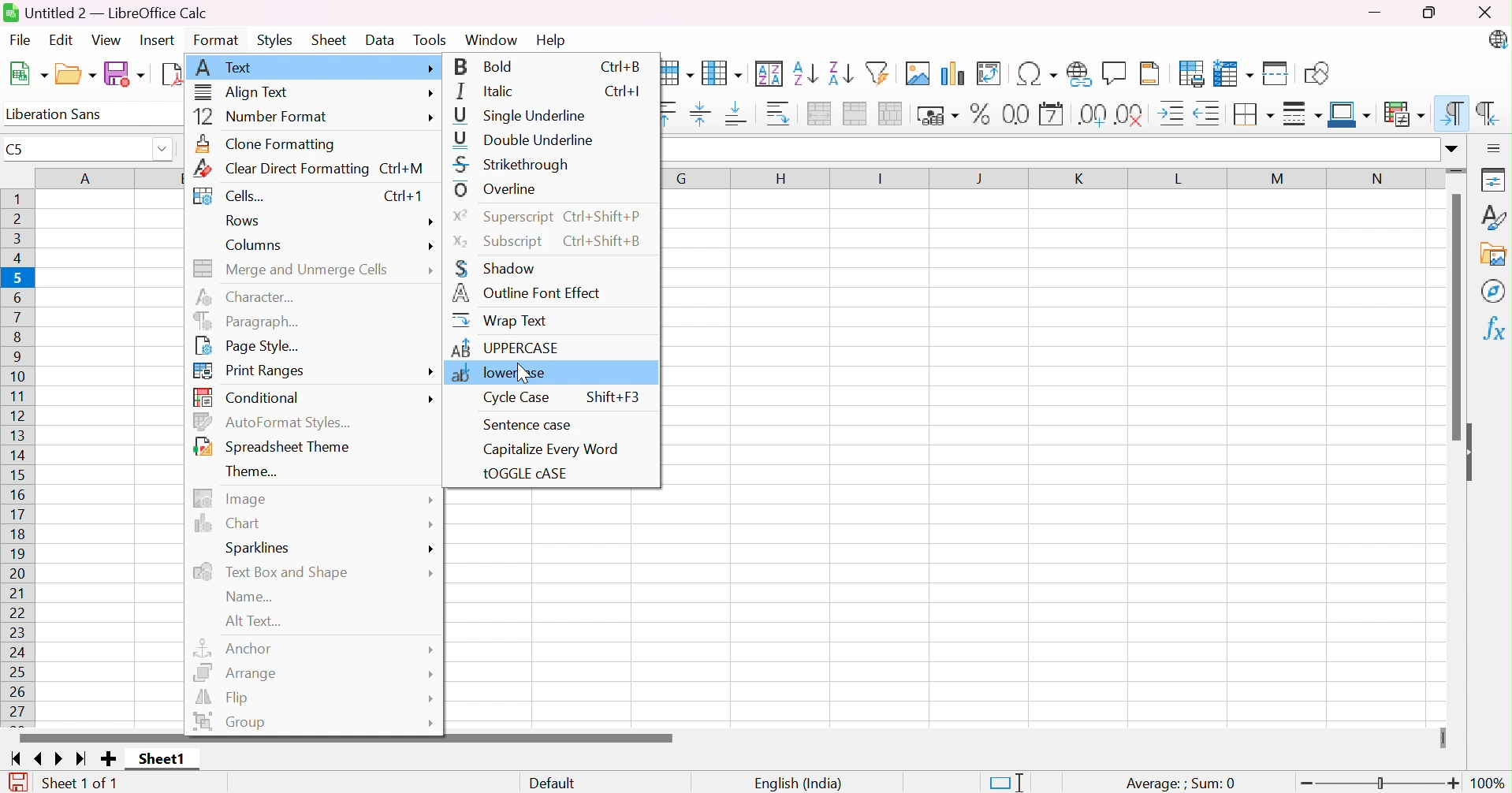 The width and height of the screenshot is (1512, 793). Describe the element at coordinates (1320, 72) in the screenshot. I see `Show Draw  Functions` at that location.